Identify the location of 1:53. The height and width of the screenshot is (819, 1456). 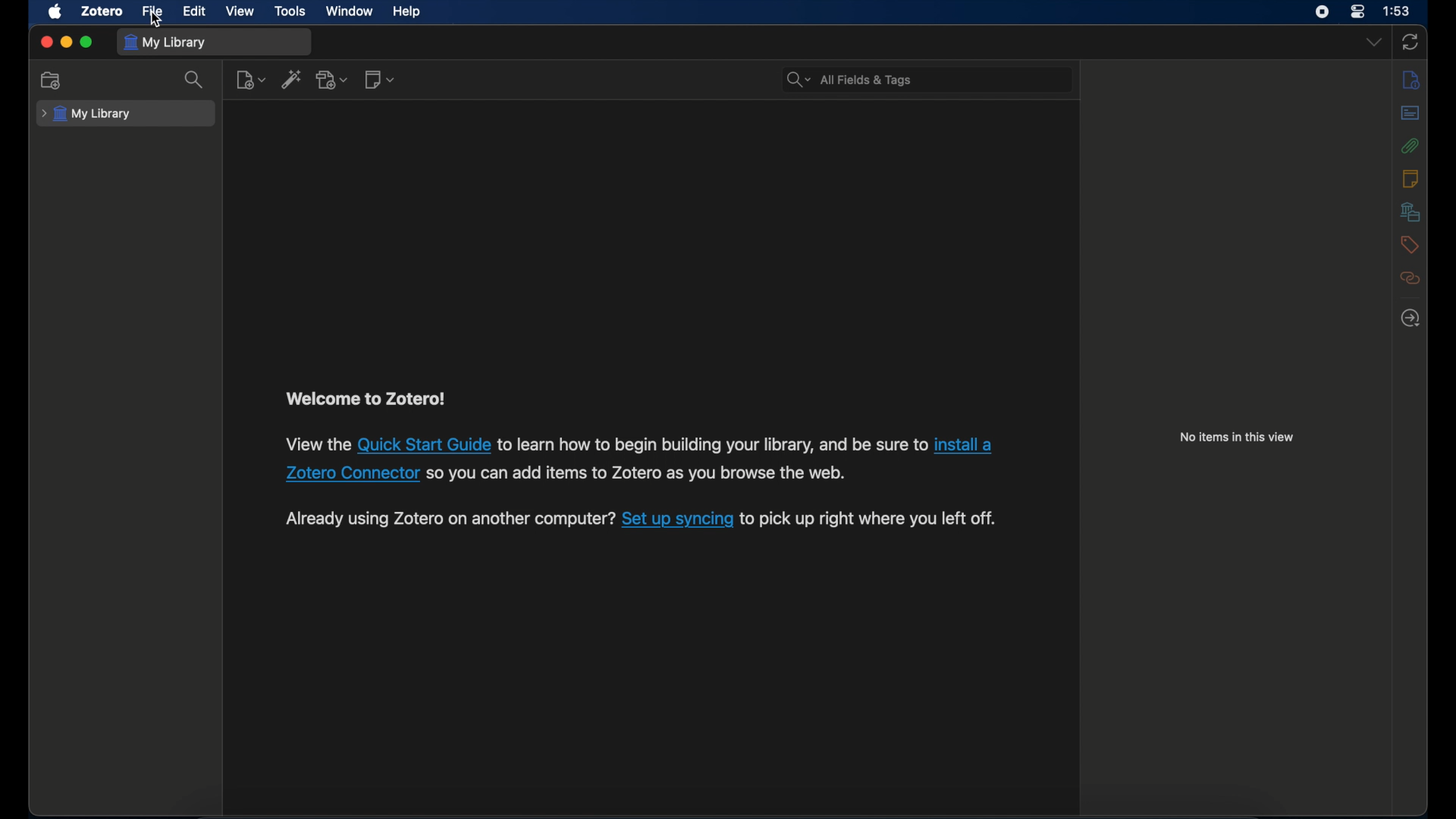
(1398, 12).